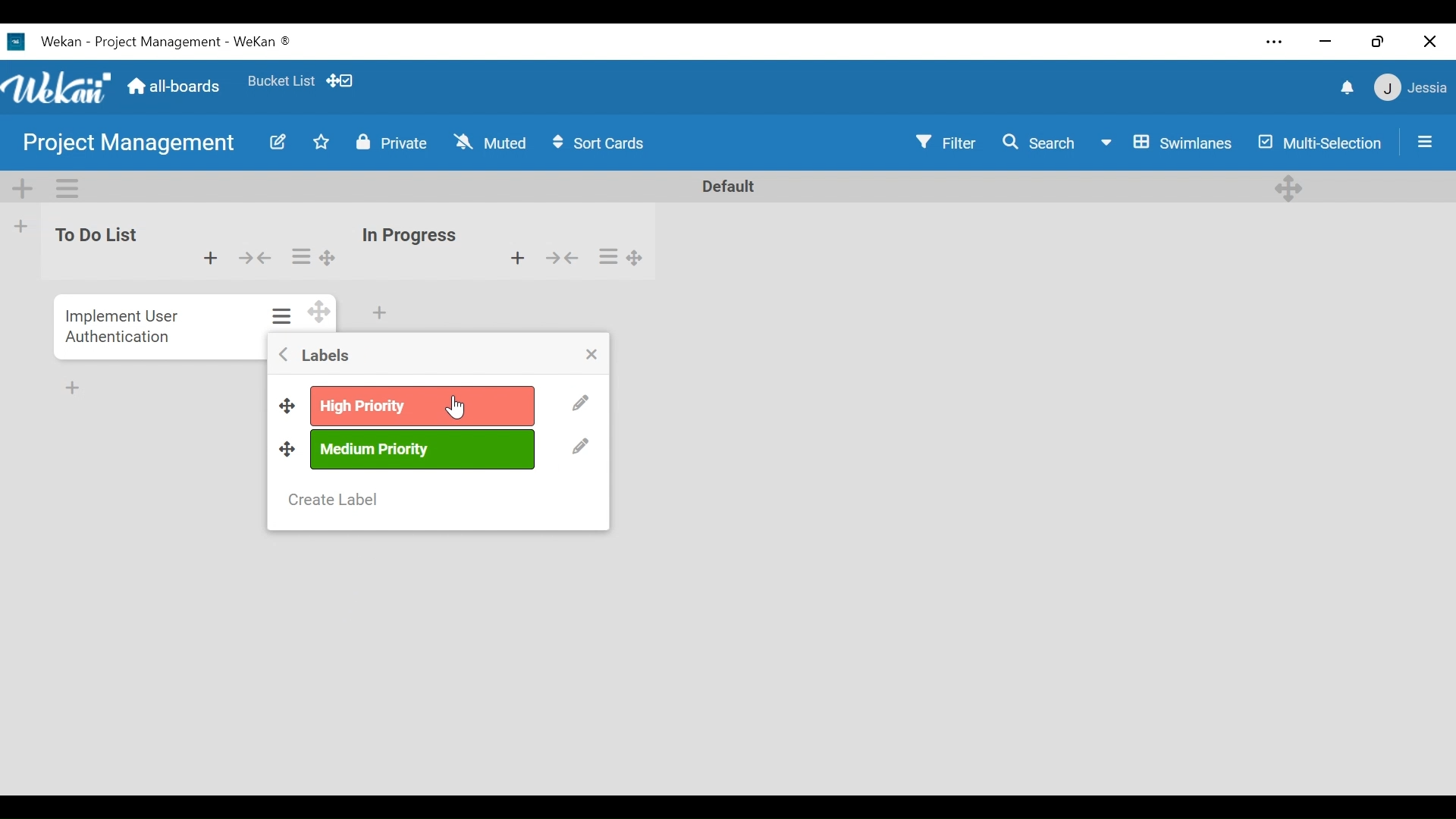 The image size is (1456, 819). I want to click on Y Filter, so click(946, 141).